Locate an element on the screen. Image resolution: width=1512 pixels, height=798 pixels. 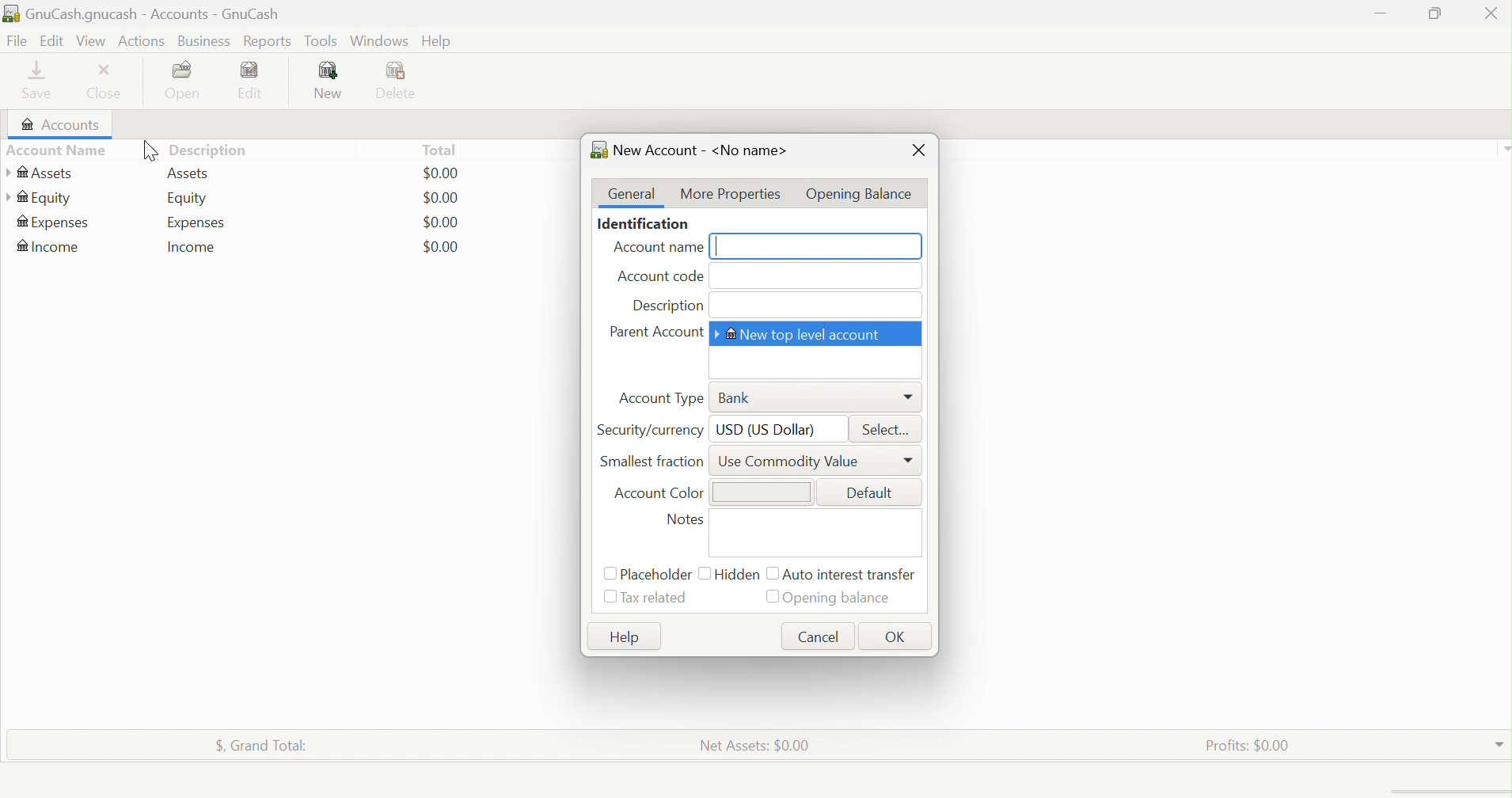
More is located at coordinates (910, 462).